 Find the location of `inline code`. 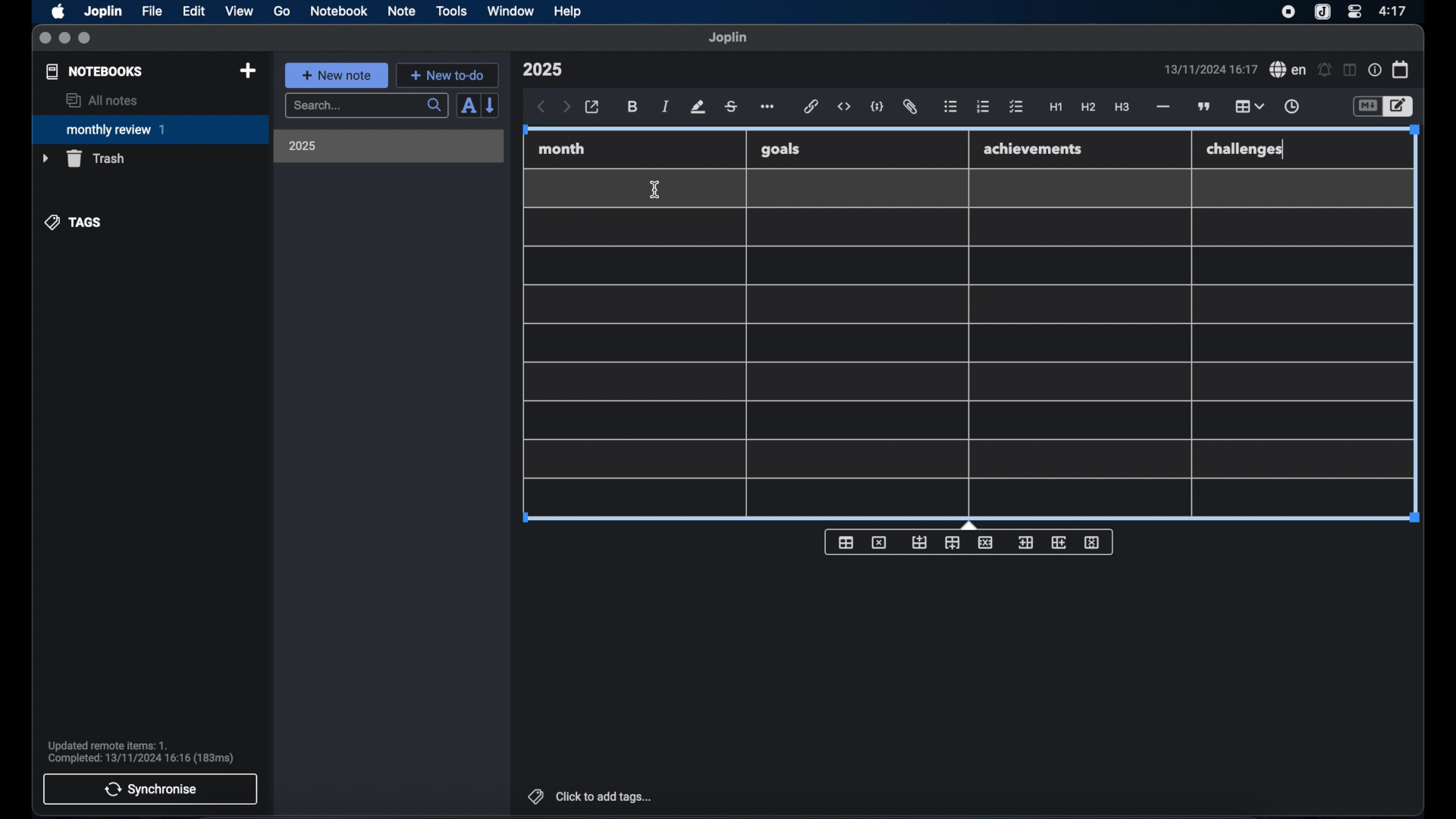

inline code is located at coordinates (844, 107).